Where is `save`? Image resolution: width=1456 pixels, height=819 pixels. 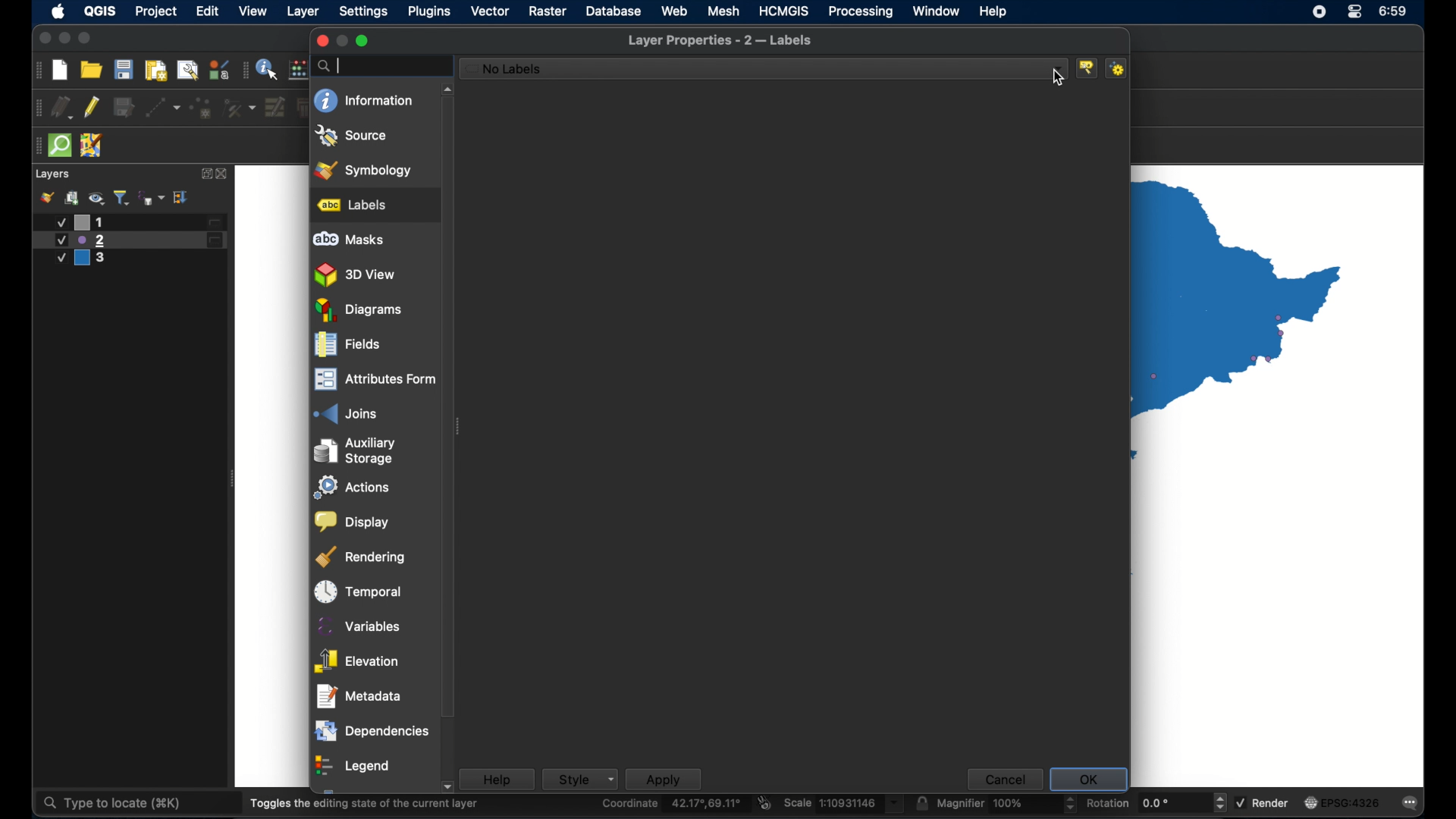 save is located at coordinates (124, 69).